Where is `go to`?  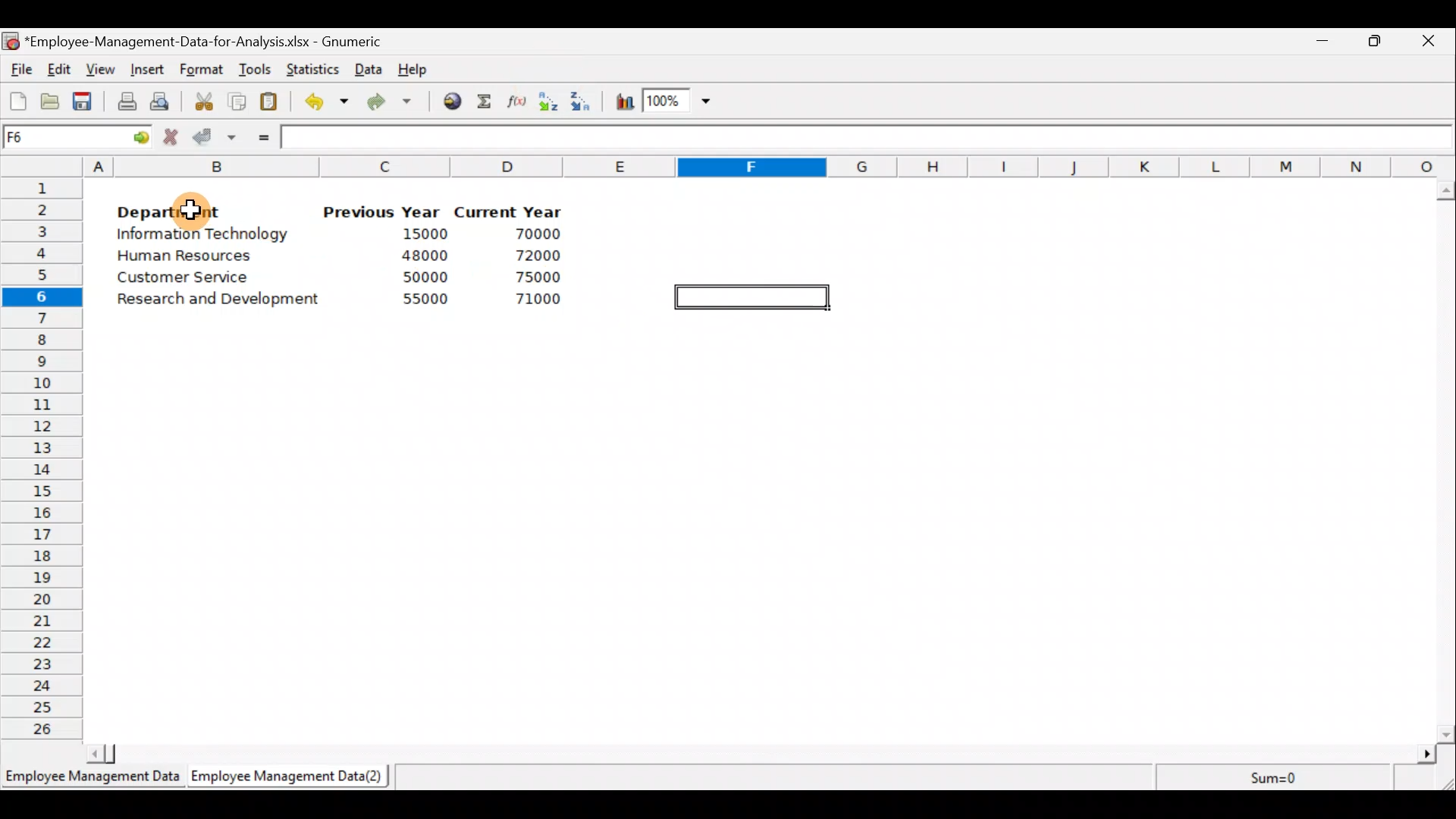 go to is located at coordinates (135, 135).